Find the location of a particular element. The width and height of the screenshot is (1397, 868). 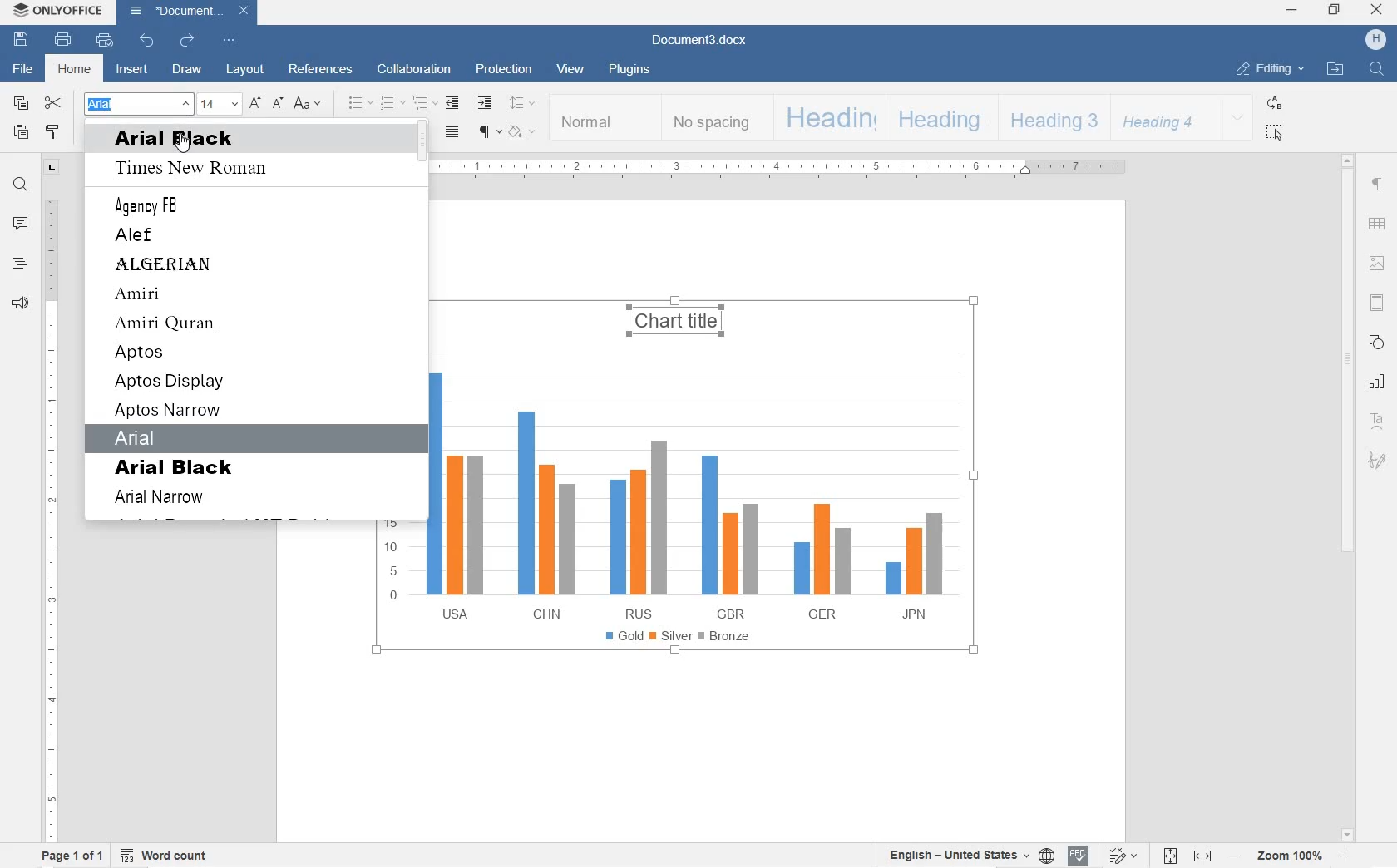

HP is located at coordinates (1375, 39).